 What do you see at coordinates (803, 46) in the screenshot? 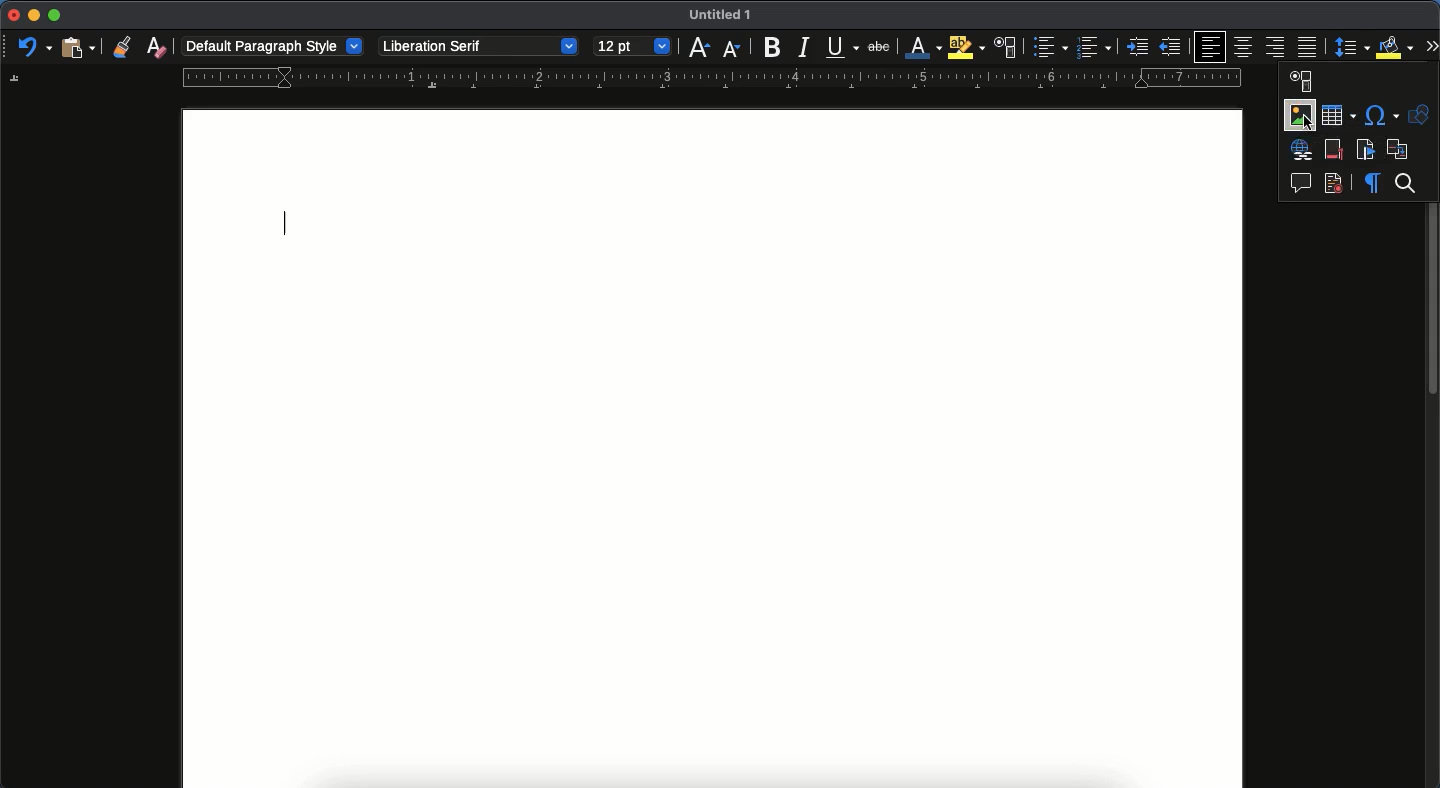
I see `italics` at bounding box center [803, 46].